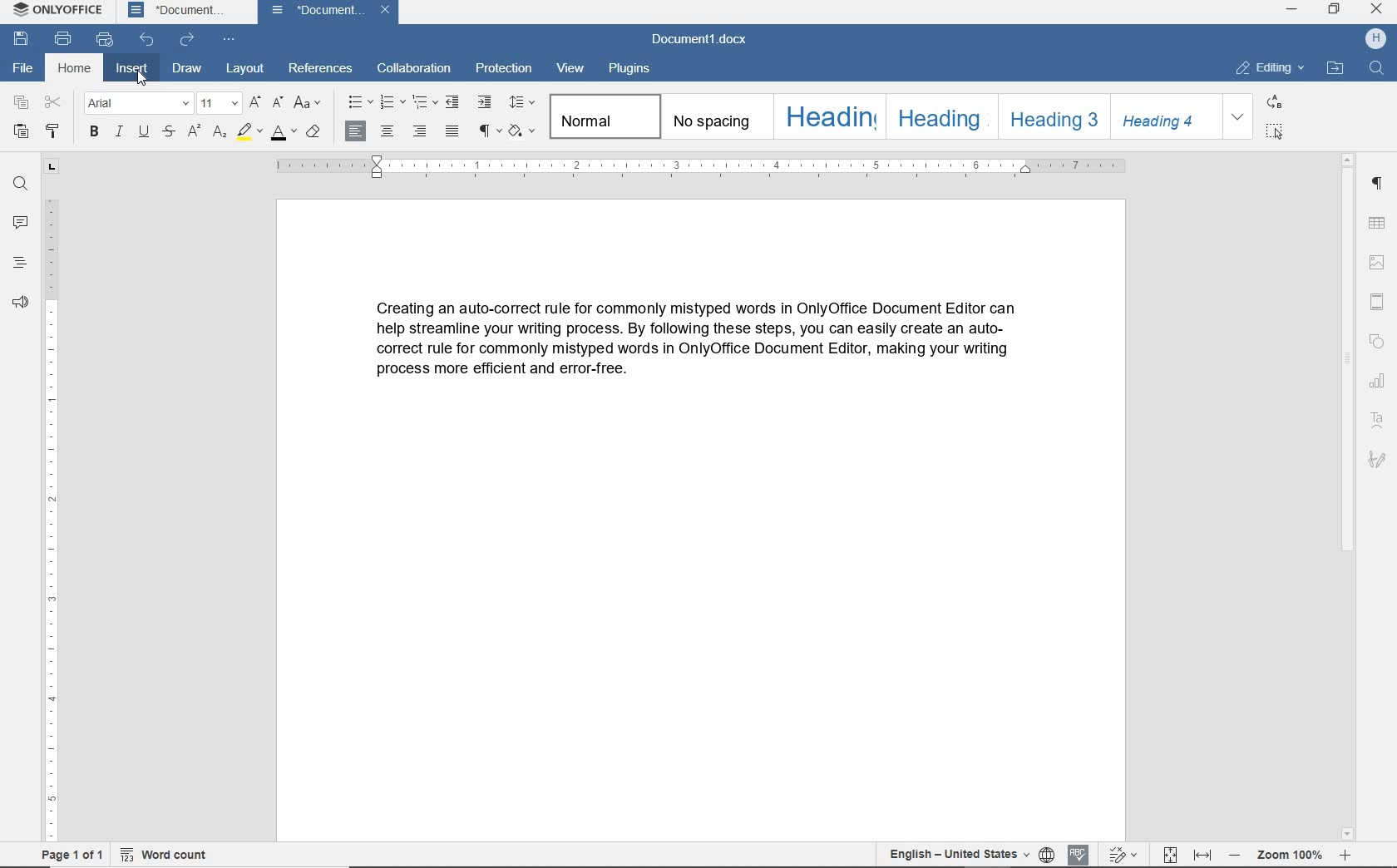 Image resolution: width=1397 pixels, height=868 pixels. What do you see at coordinates (705, 166) in the screenshot?
I see `ruler` at bounding box center [705, 166].